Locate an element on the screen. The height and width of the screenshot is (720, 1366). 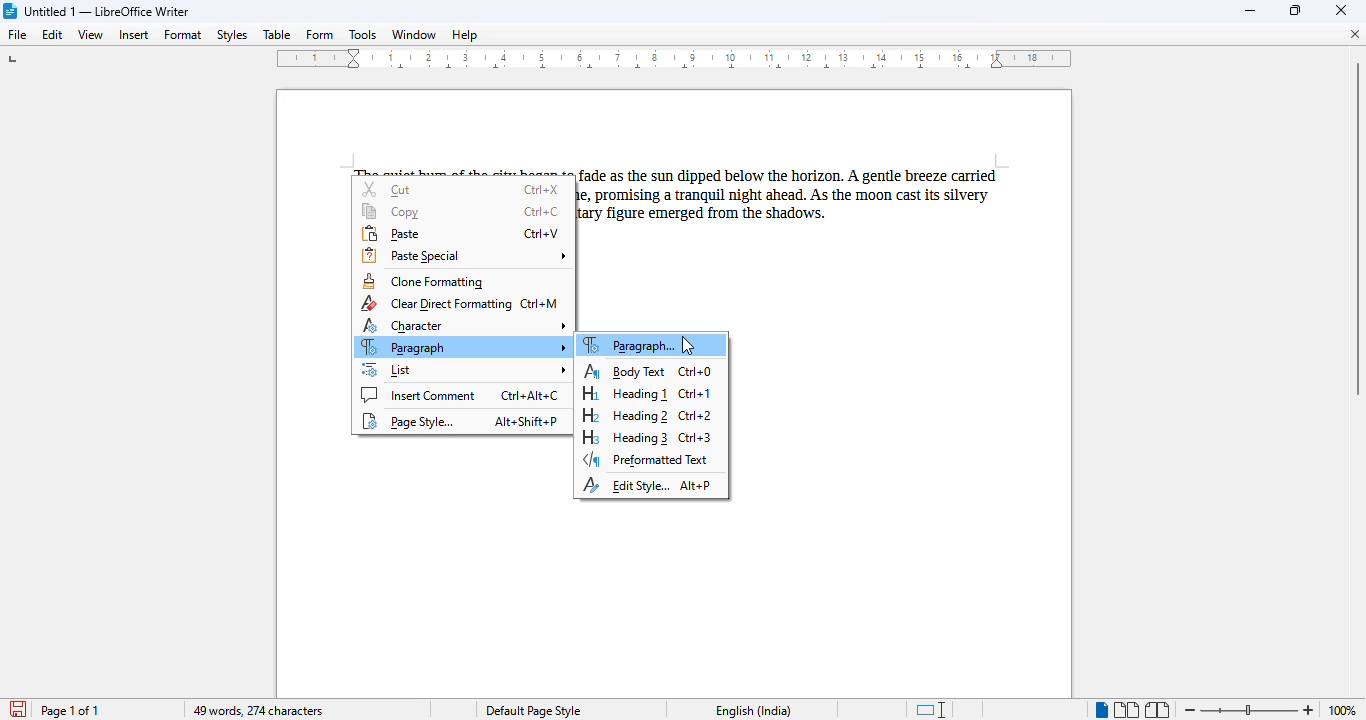
clear direct formatting is located at coordinates (458, 303).